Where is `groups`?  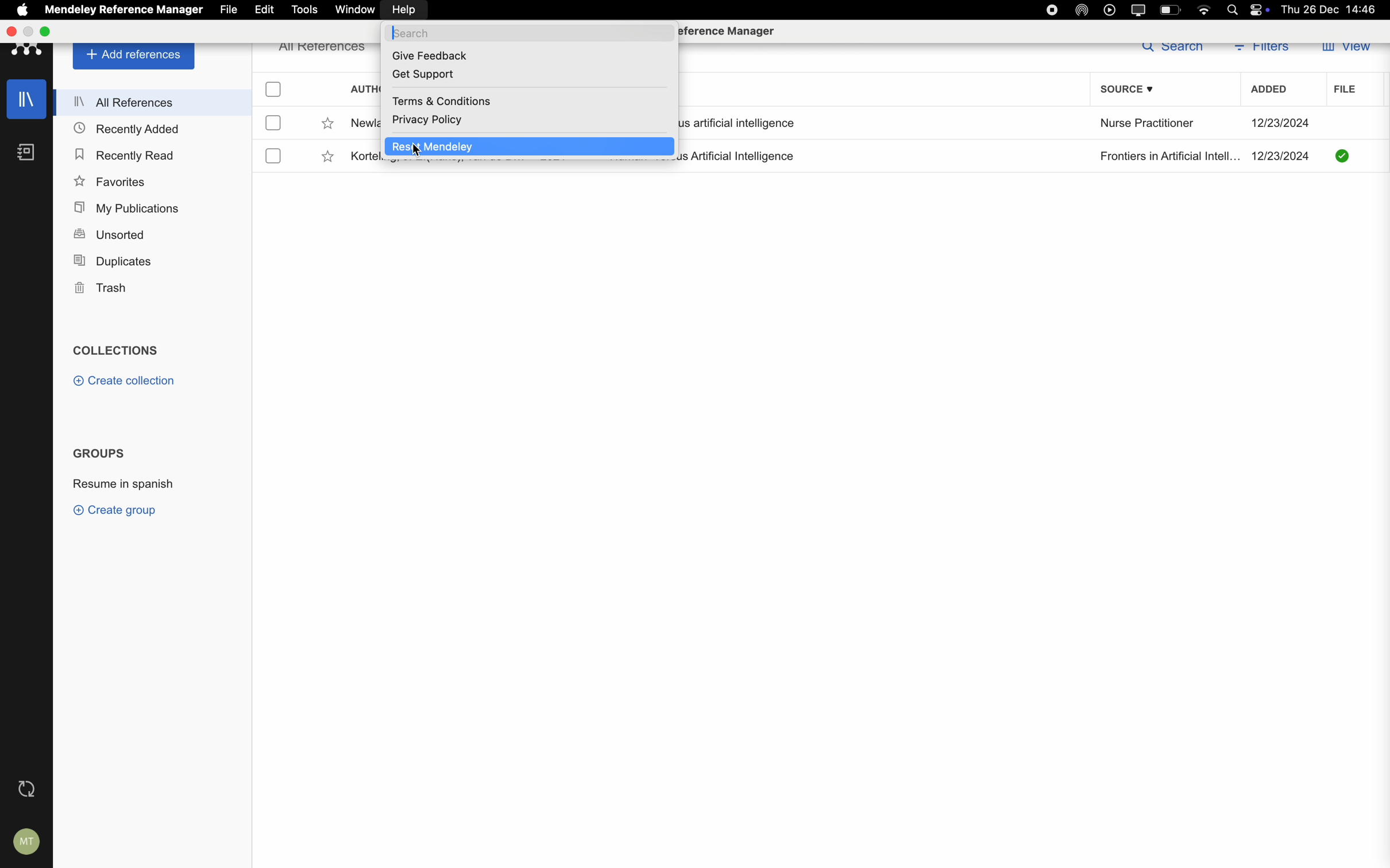
groups is located at coordinates (100, 451).